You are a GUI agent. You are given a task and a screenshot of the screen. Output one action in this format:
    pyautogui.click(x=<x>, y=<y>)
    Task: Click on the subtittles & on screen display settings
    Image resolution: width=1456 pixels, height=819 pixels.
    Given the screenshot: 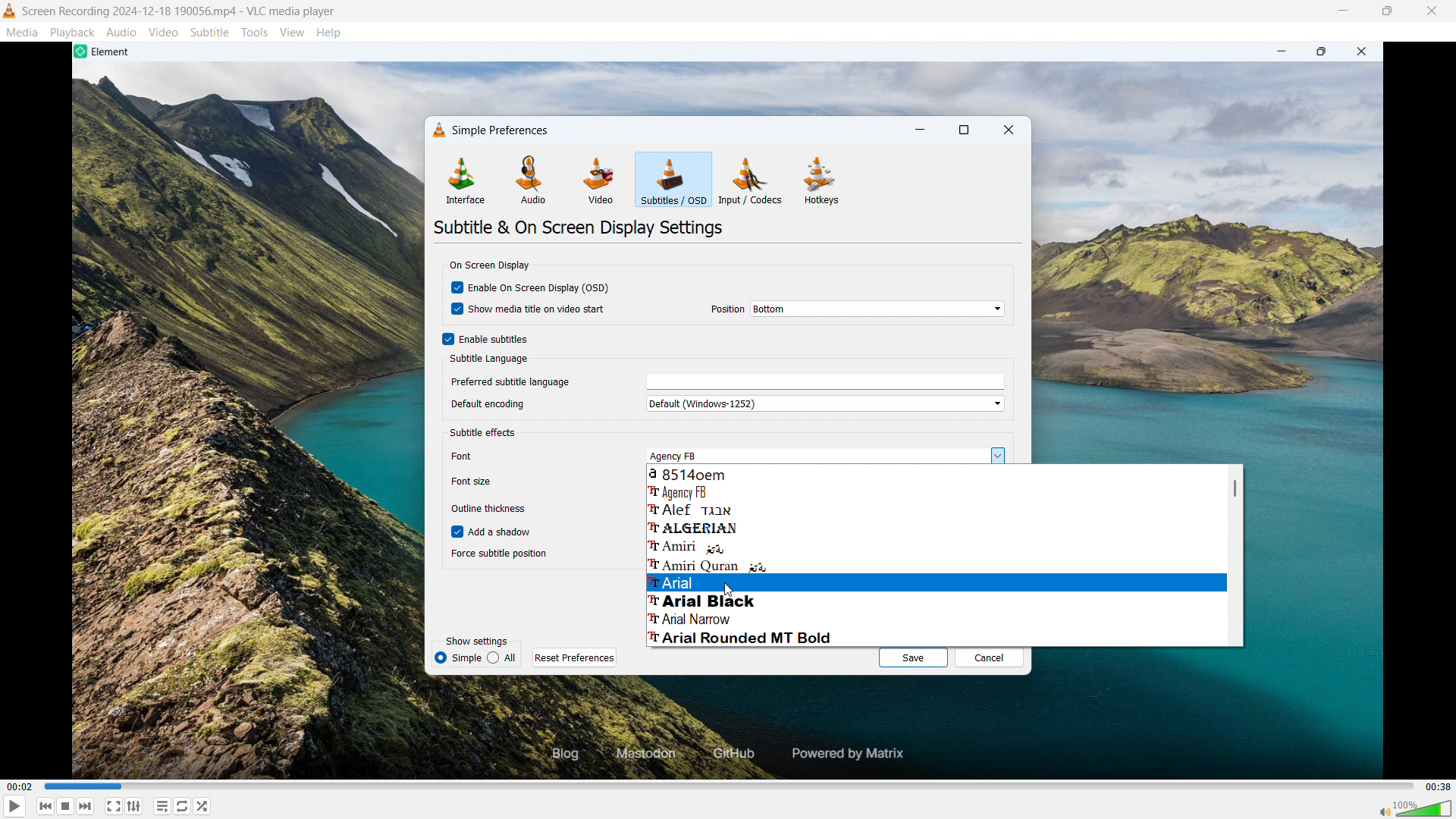 What is the action you would take?
    pyautogui.click(x=579, y=227)
    